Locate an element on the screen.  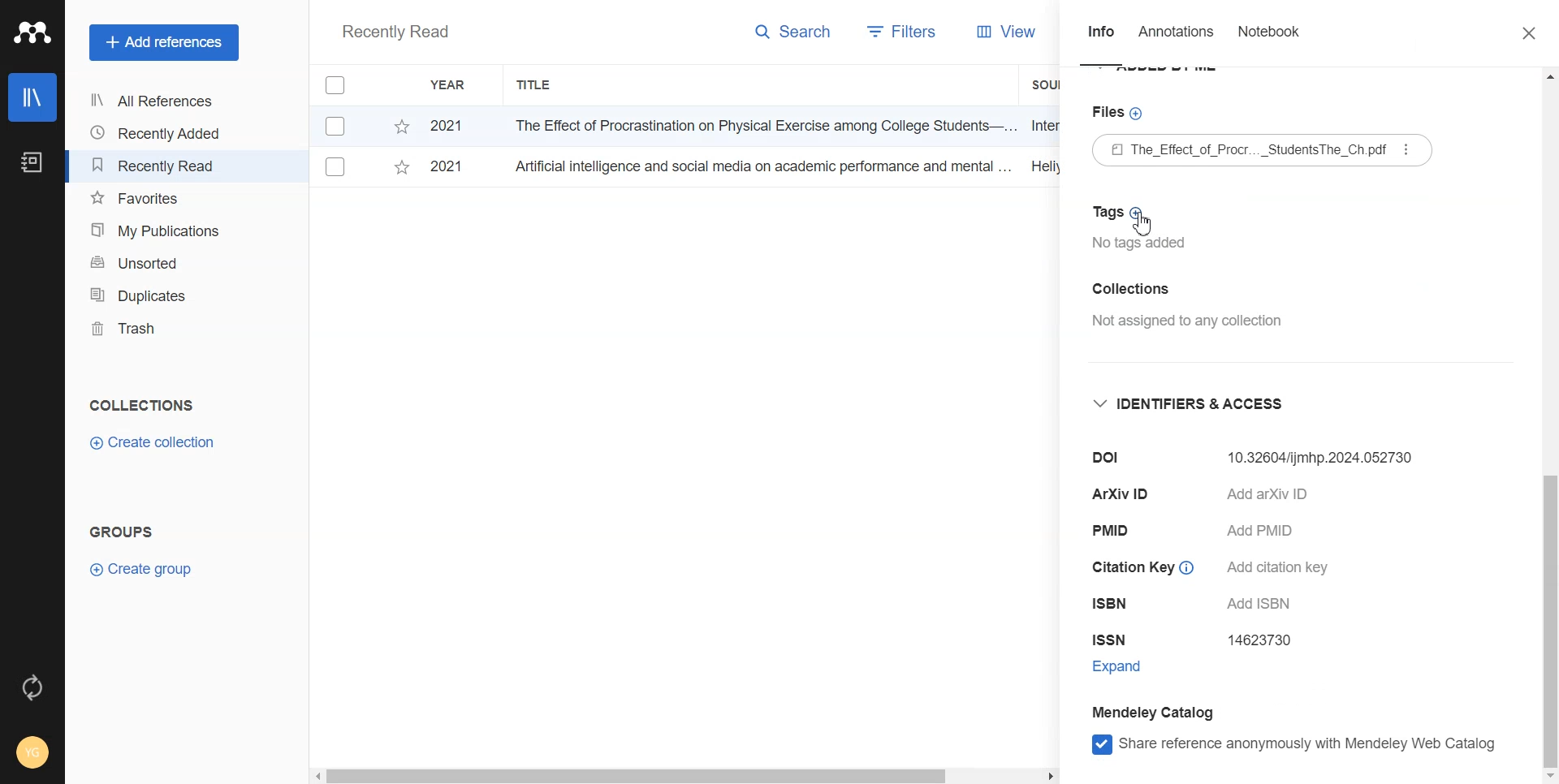
Create group is located at coordinates (142, 567).